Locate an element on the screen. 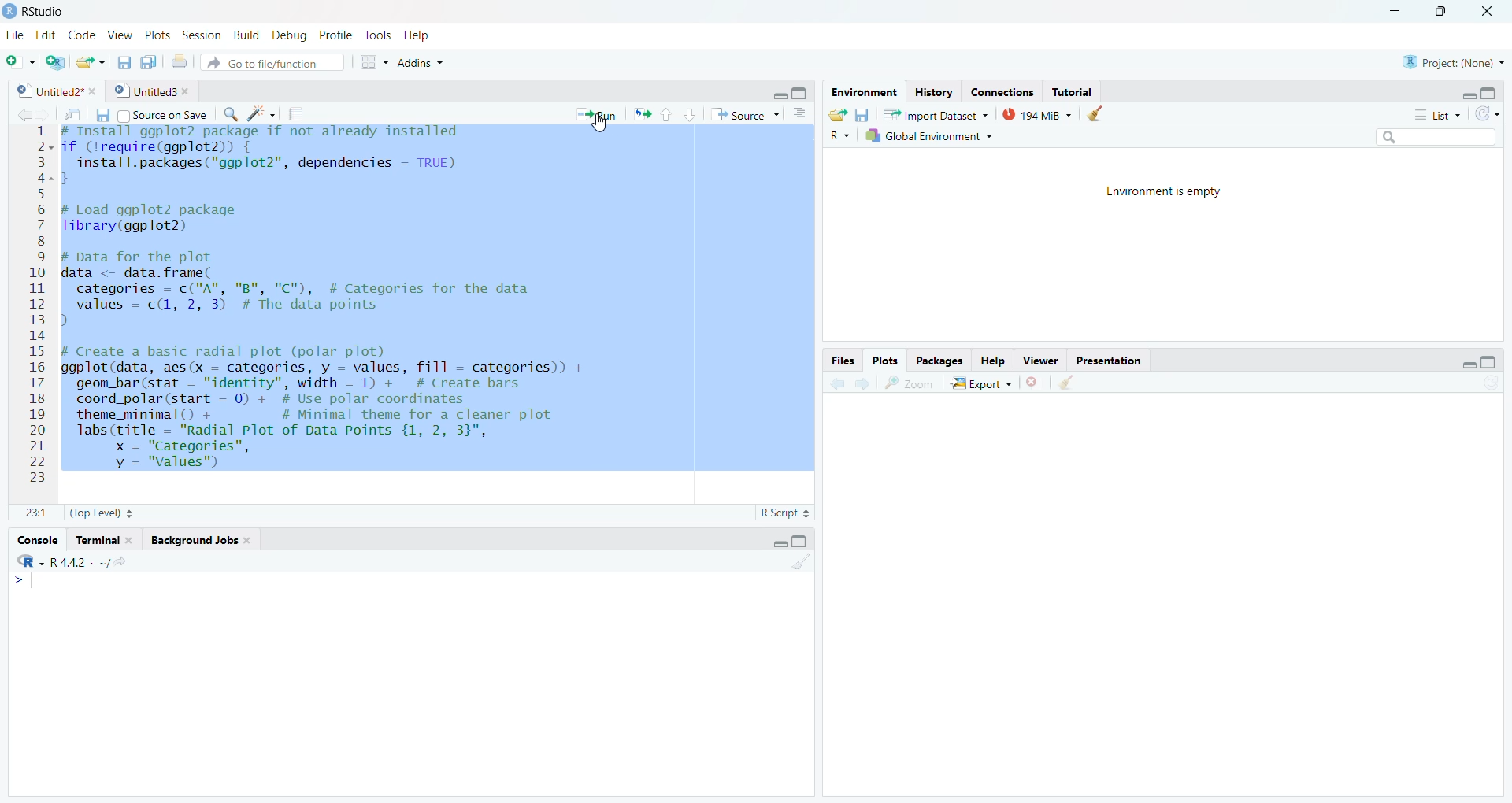 This screenshot has width=1512, height=803. Files is located at coordinates (844, 361).